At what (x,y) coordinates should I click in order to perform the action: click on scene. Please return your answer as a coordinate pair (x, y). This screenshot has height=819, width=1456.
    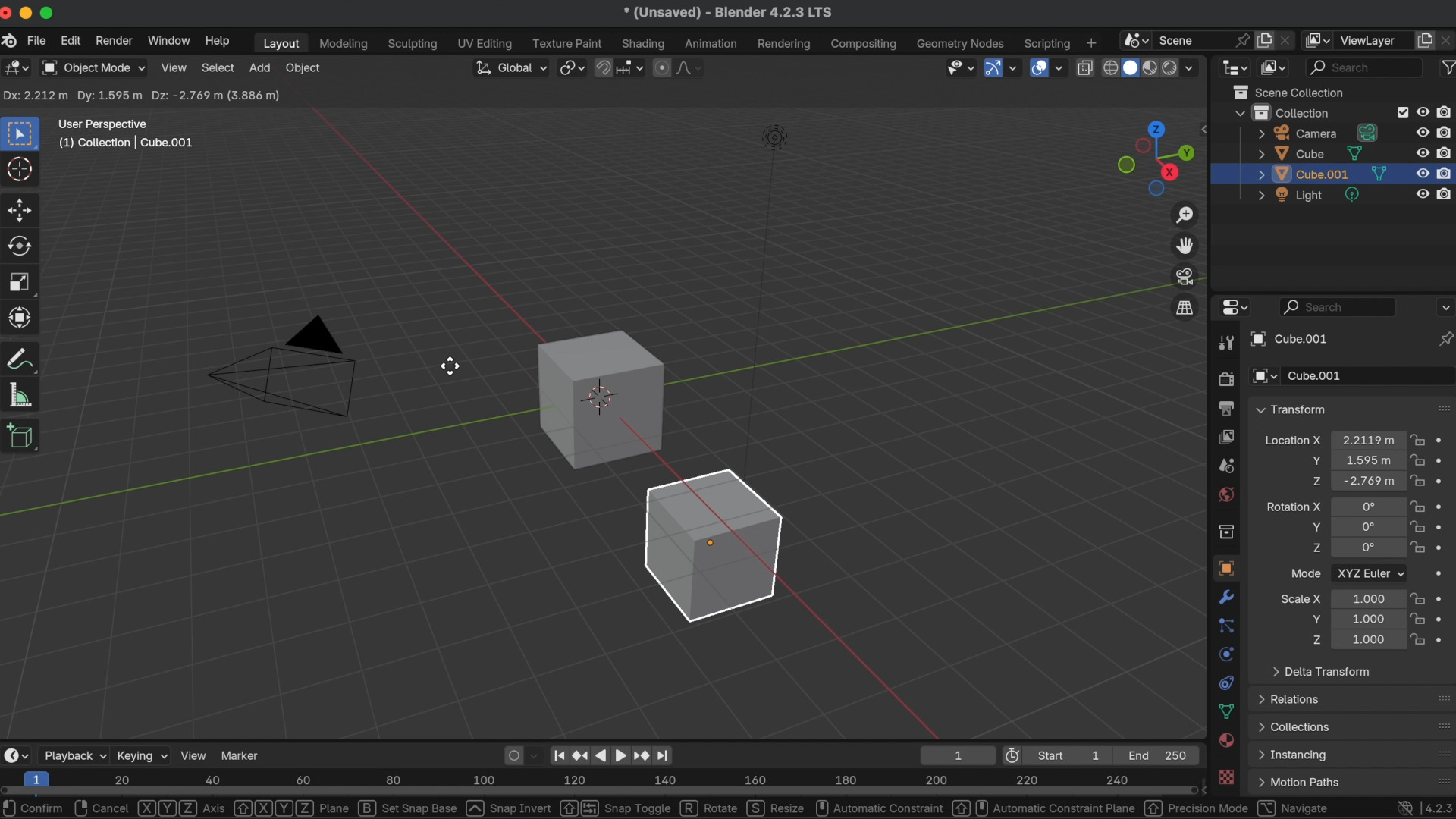
    Looking at the image, I should click on (1225, 466).